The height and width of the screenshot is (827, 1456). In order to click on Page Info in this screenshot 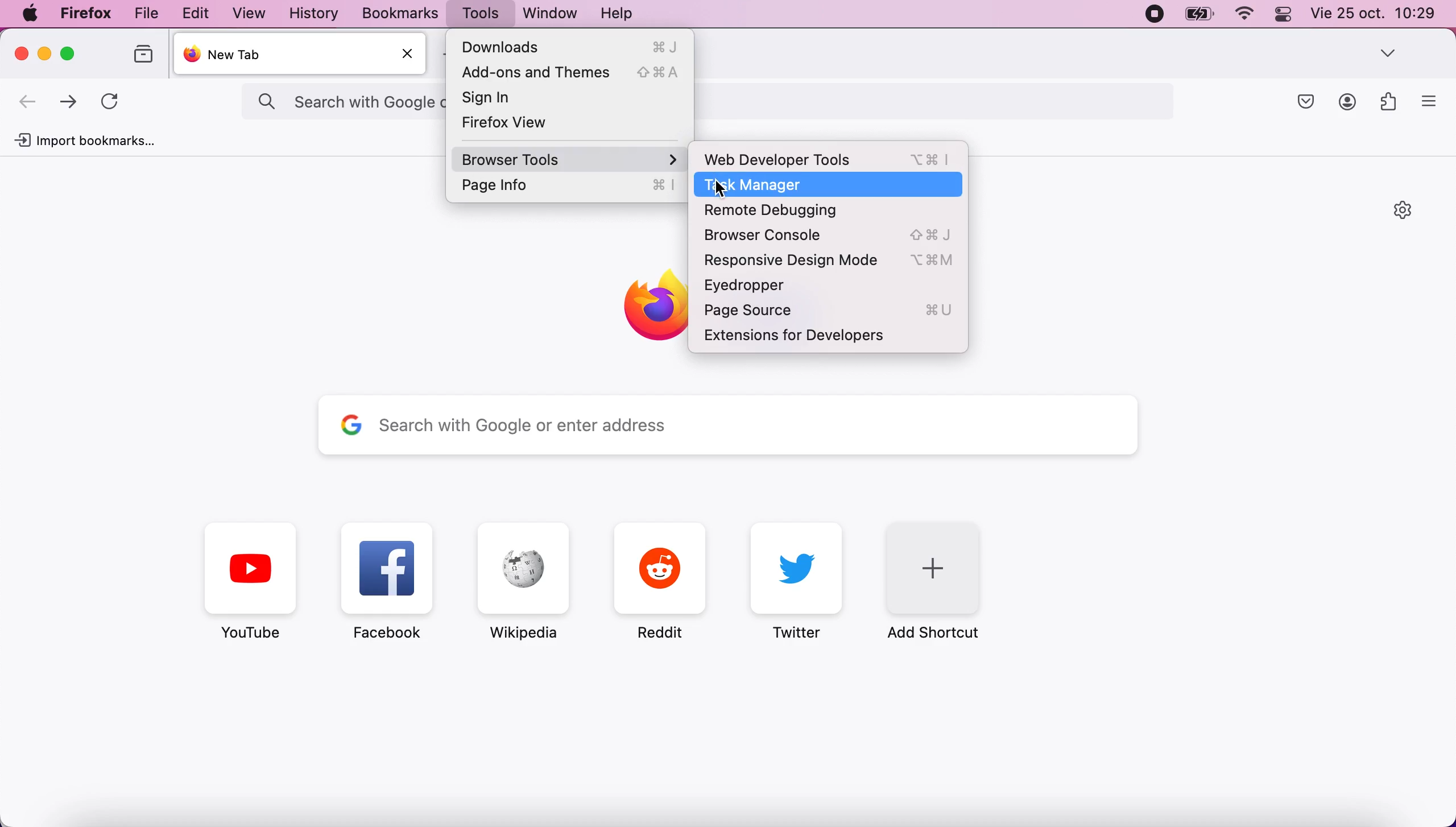, I will do `click(570, 185)`.